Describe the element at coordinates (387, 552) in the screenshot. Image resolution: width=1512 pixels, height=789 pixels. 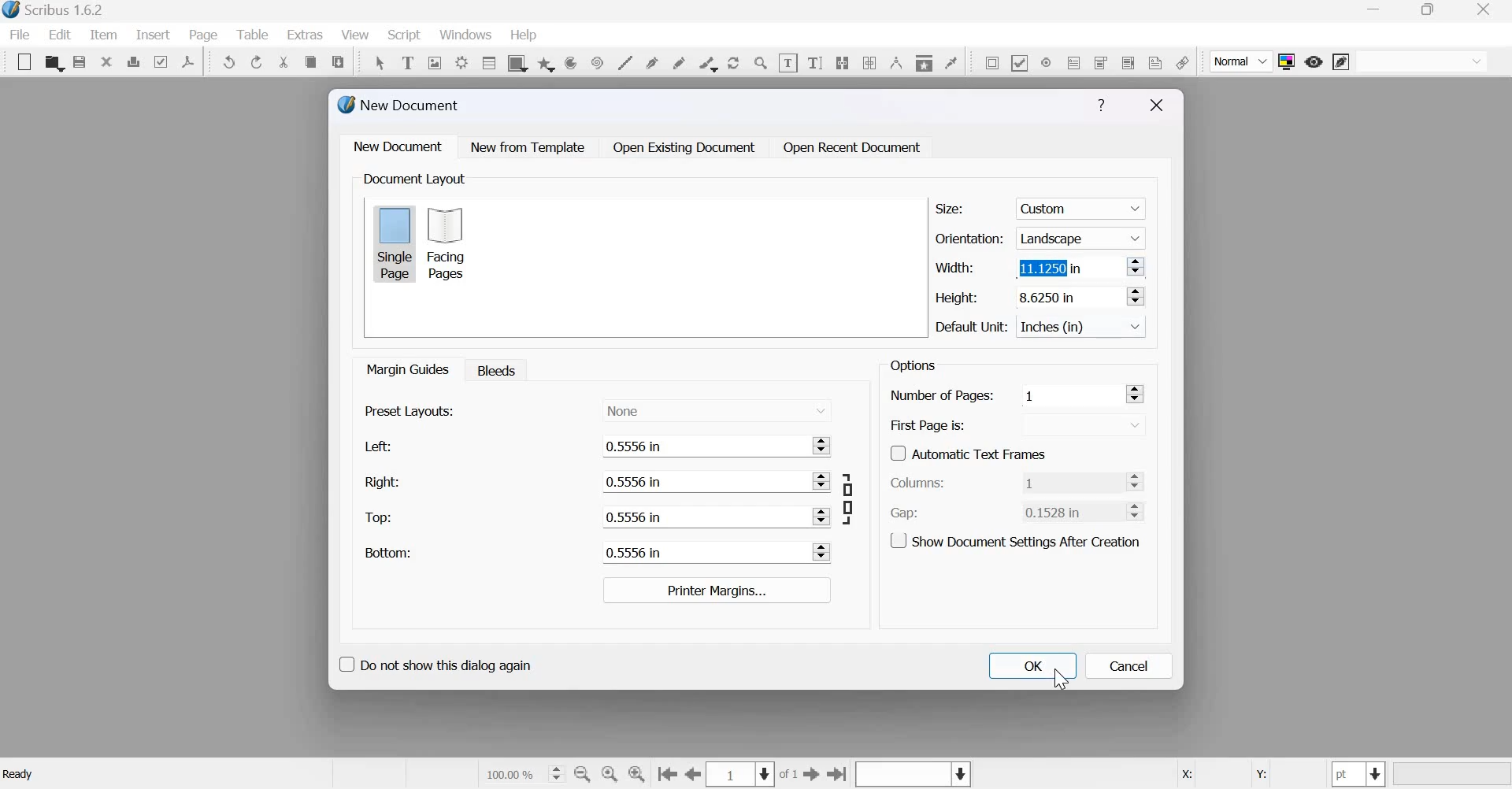
I see `Bottom:` at that location.